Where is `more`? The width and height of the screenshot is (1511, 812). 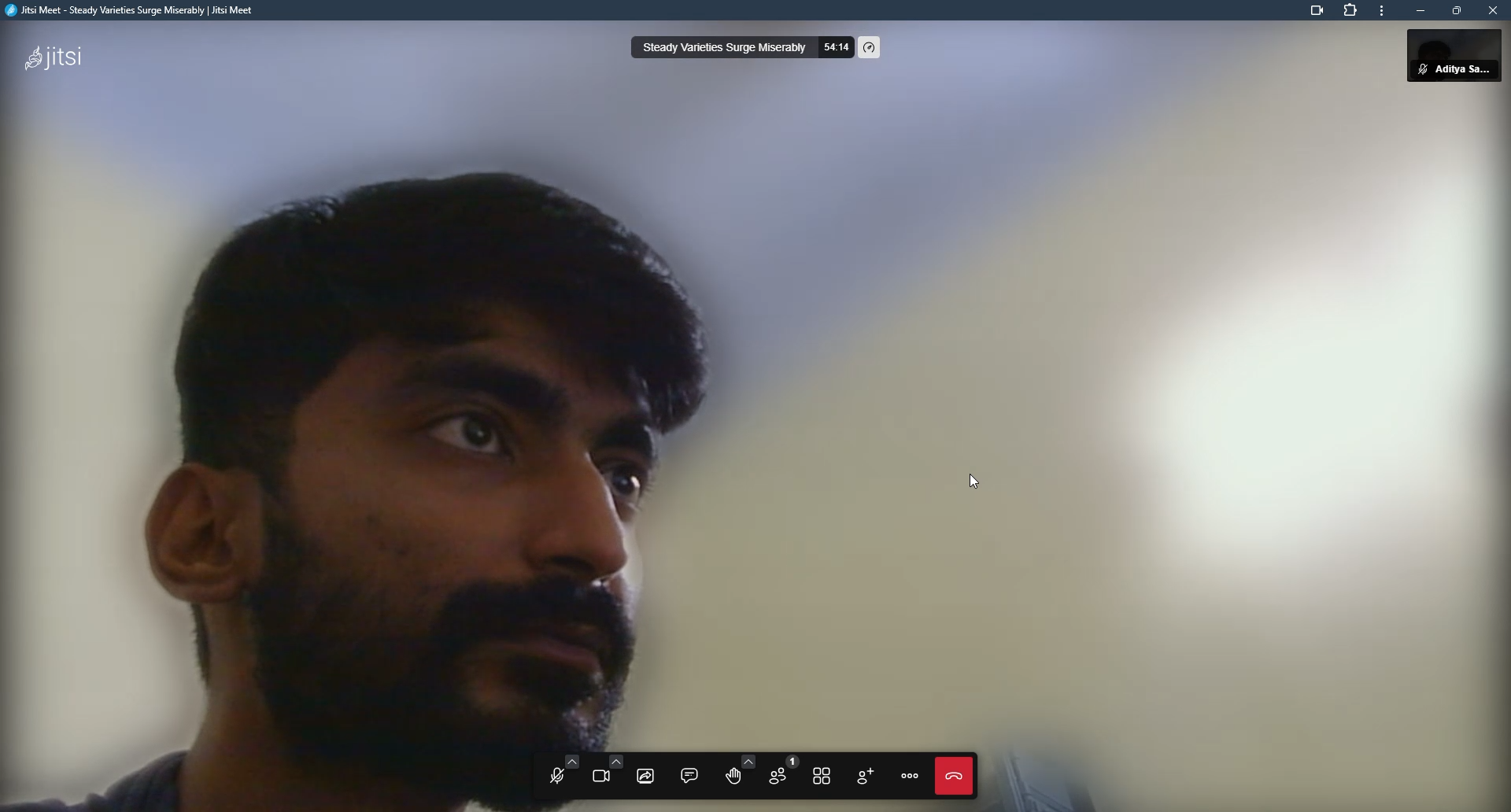
more is located at coordinates (1381, 13).